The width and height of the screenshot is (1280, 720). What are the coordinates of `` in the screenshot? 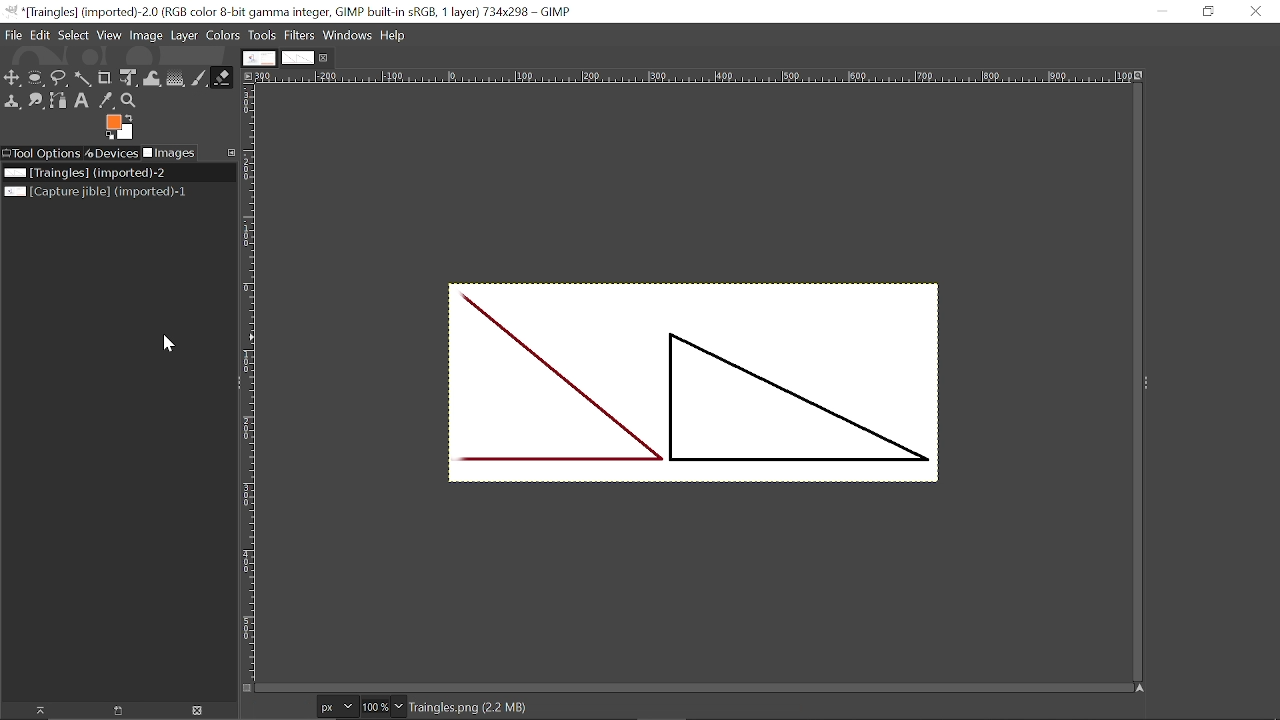 It's located at (261, 36).